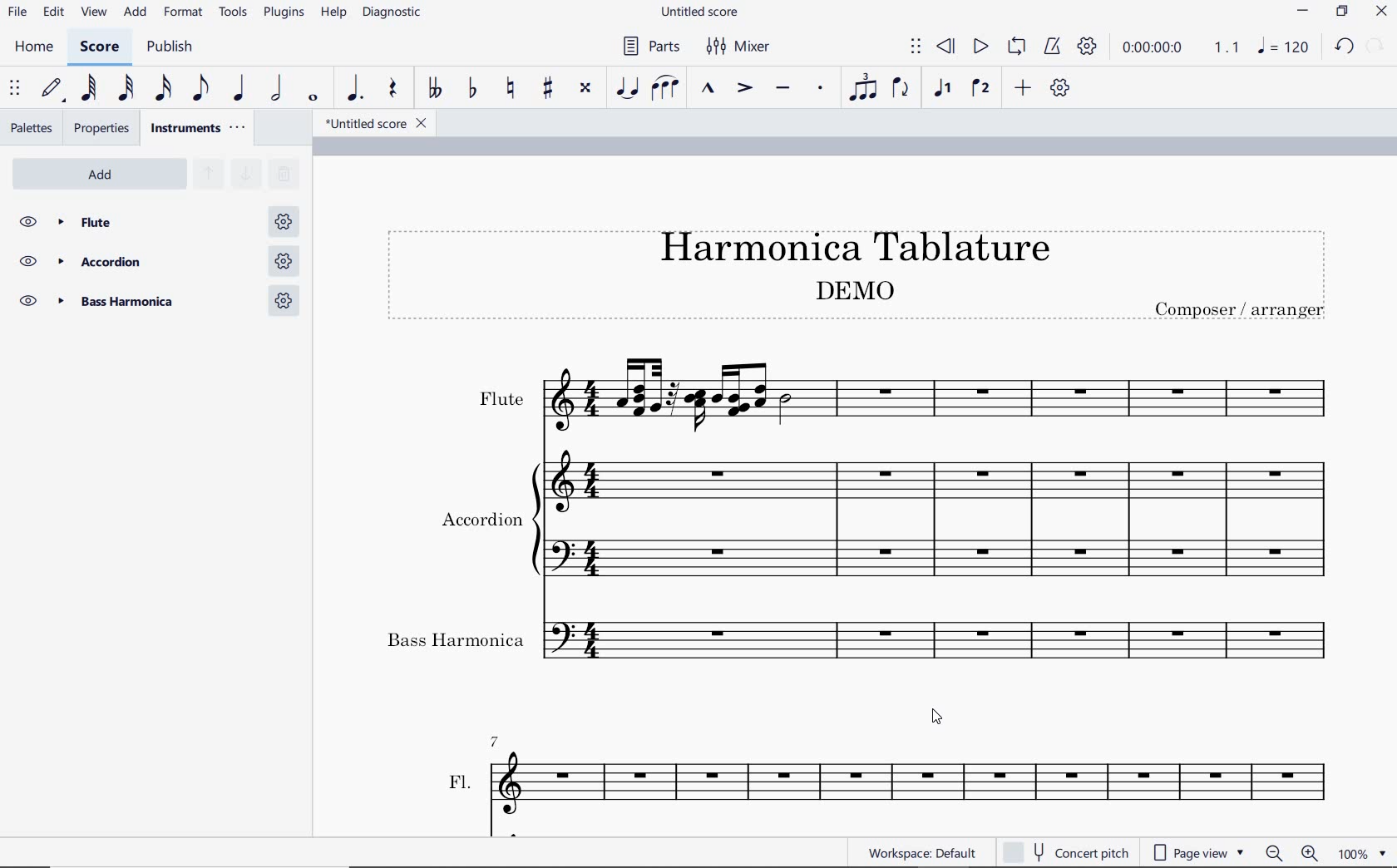 The width and height of the screenshot is (1397, 868). Describe the element at coordinates (51, 89) in the screenshot. I see `default (step time)` at that location.